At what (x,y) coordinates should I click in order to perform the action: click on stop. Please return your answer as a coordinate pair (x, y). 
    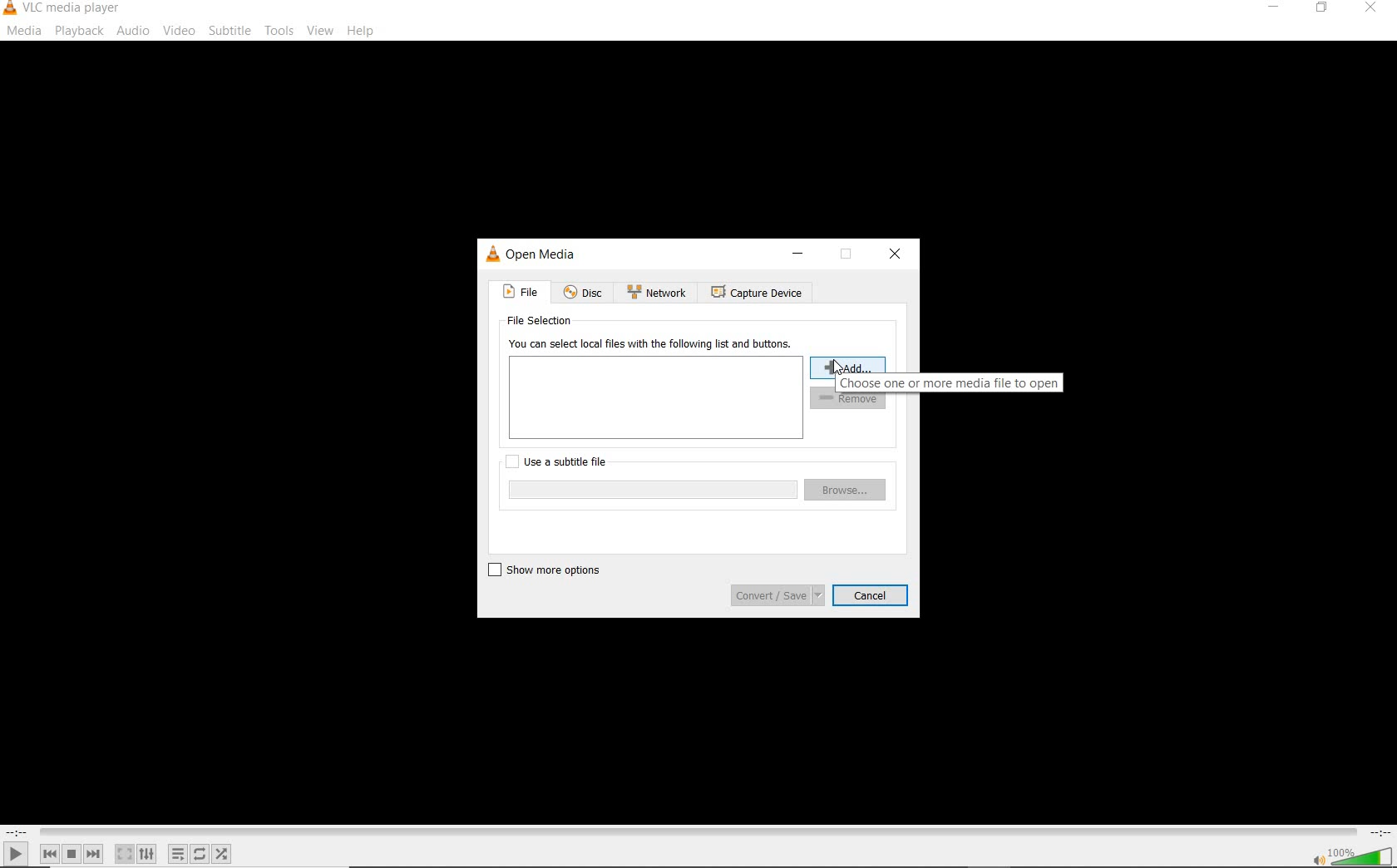
    Looking at the image, I should click on (72, 854).